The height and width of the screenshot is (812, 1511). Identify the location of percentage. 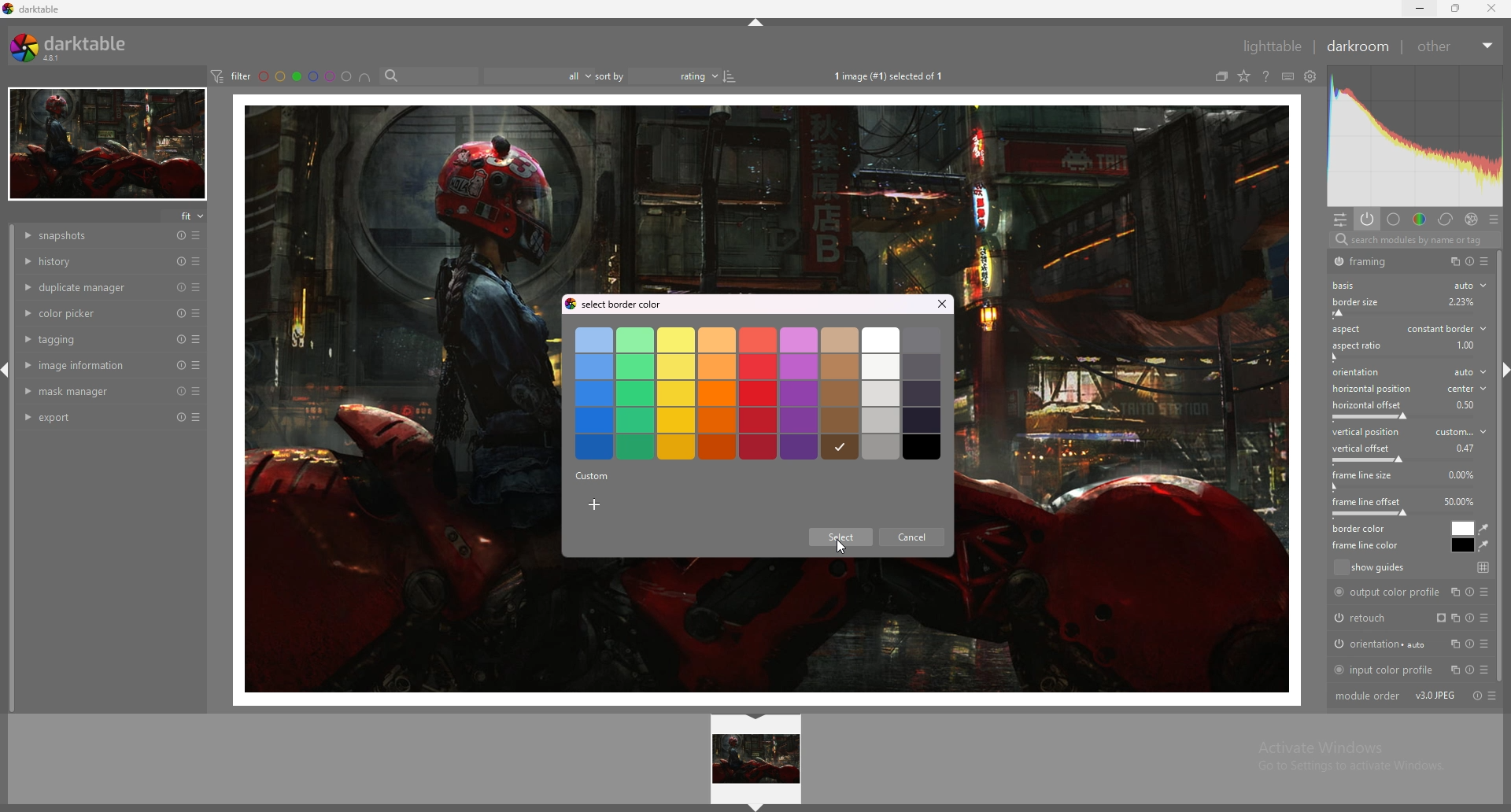
(1464, 474).